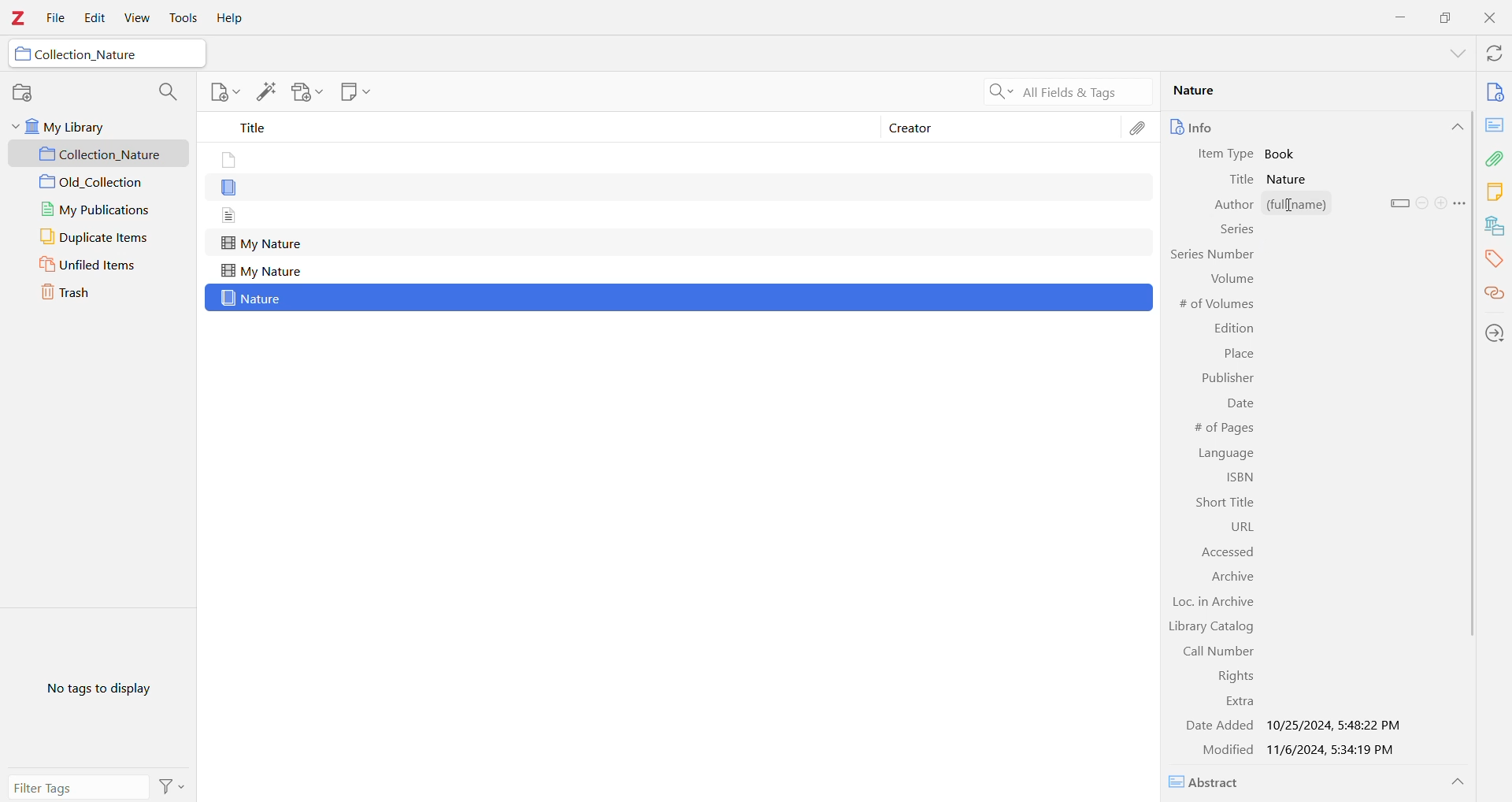 Image resolution: width=1512 pixels, height=802 pixels. What do you see at coordinates (1210, 782) in the screenshot?
I see `Abstract` at bounding box center [1210, 782].